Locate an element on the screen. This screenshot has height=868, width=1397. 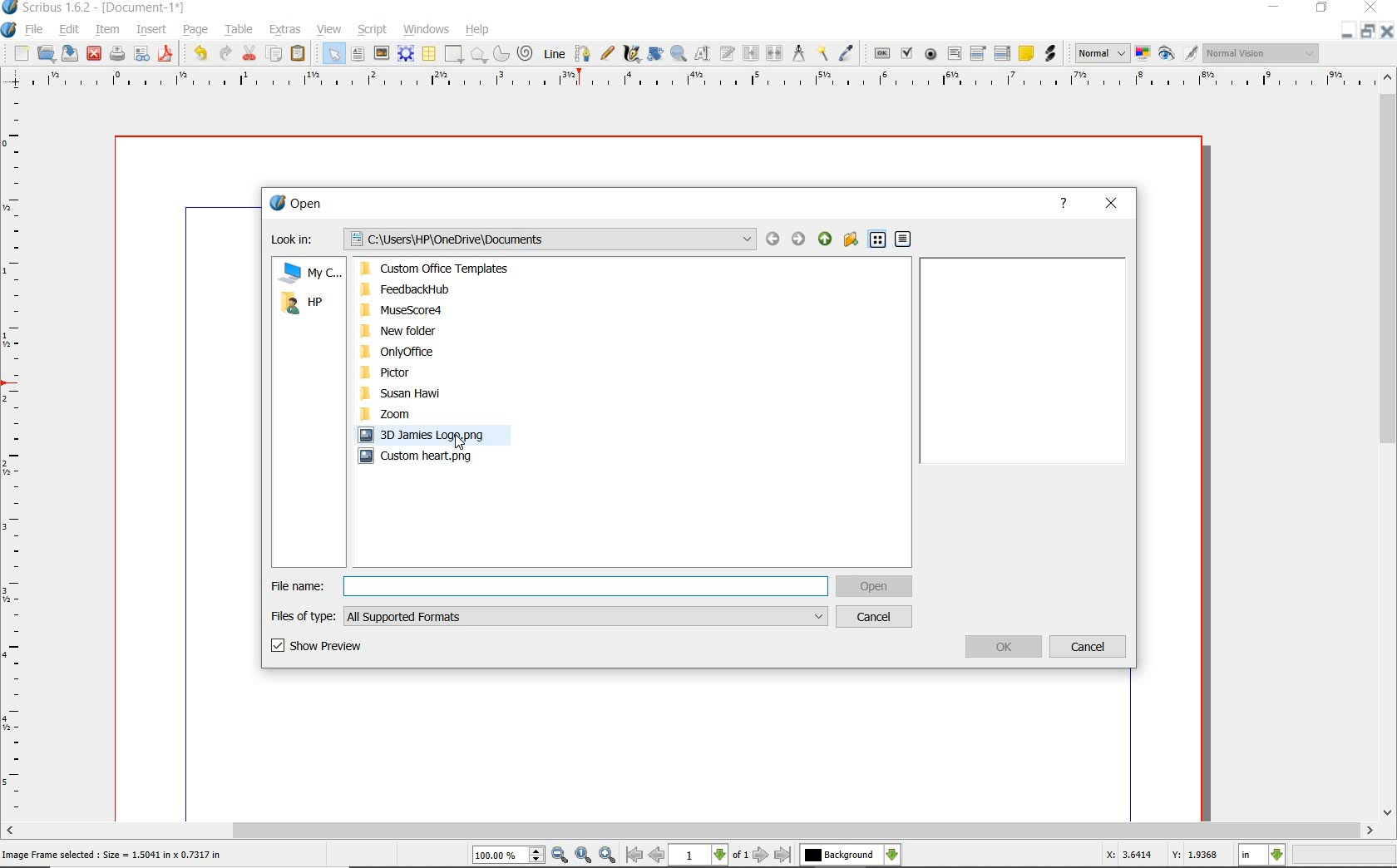
show preview is located at coordinates (346, 648).